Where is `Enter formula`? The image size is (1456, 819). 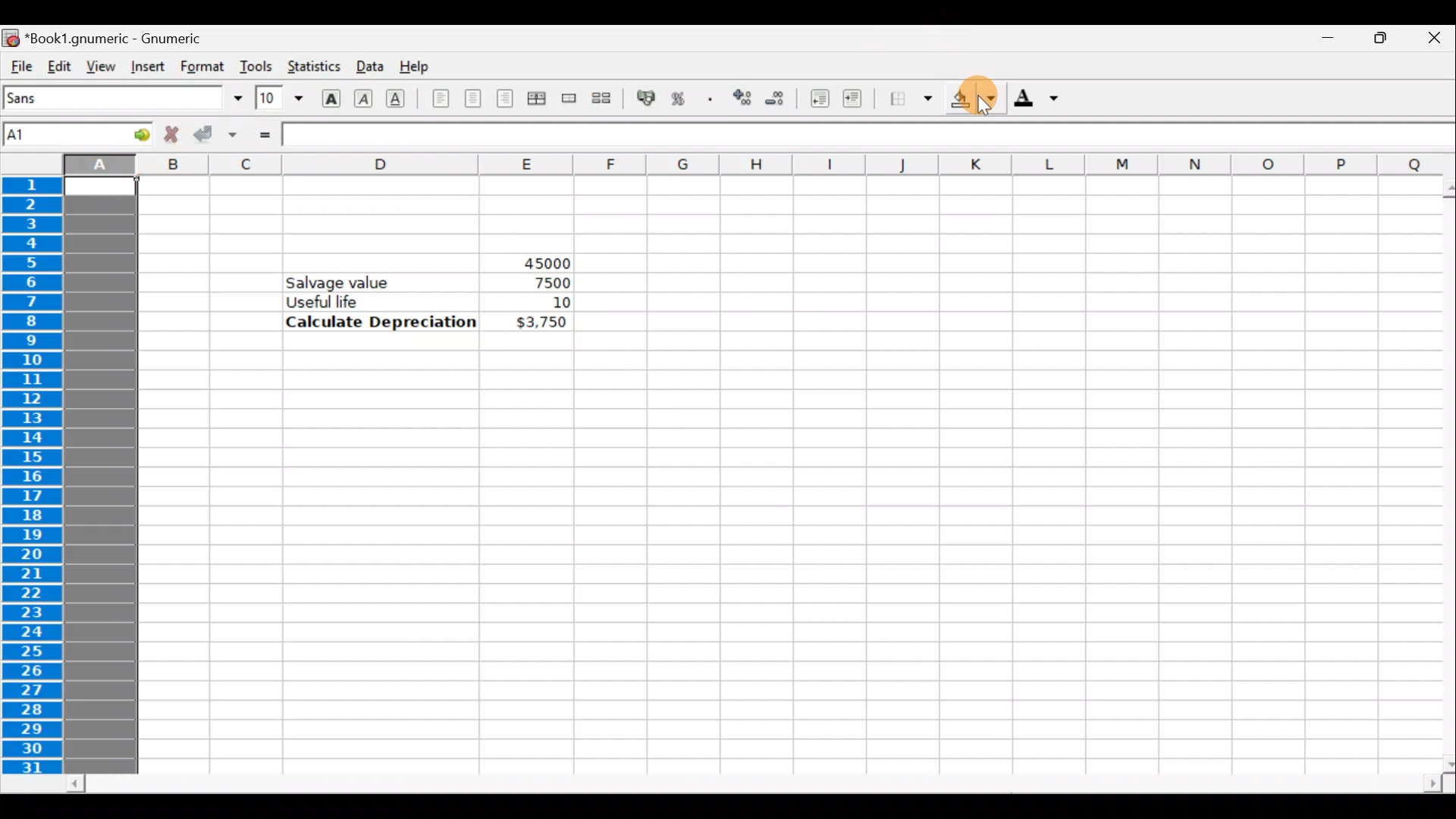 Enter formula is located at coordinates (264, 134).